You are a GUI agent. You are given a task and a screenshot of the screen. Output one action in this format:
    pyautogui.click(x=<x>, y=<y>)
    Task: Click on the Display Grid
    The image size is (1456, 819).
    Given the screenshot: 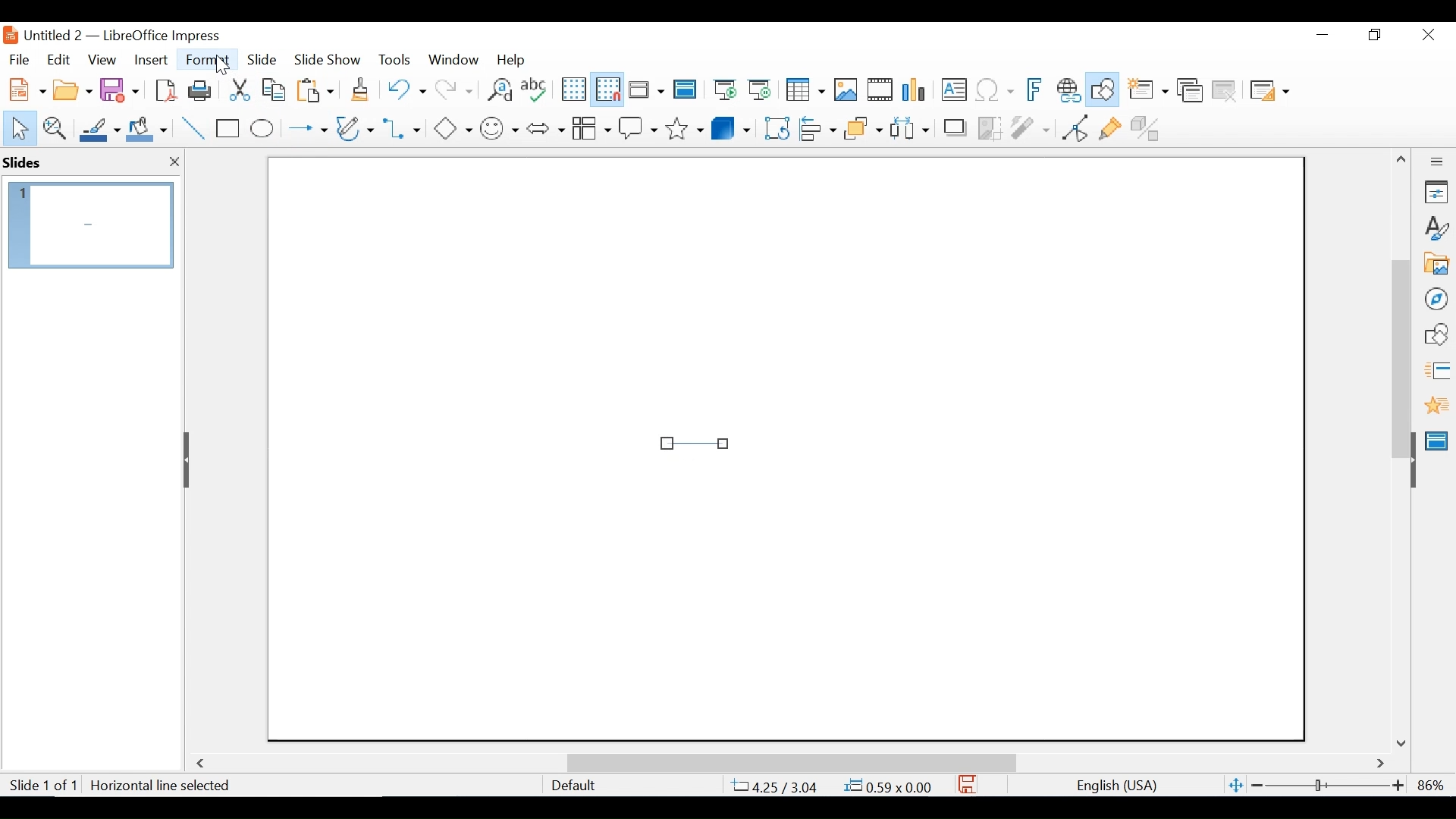 What is the action you would take?
    pyautogui.click(x=573, y=89)
    